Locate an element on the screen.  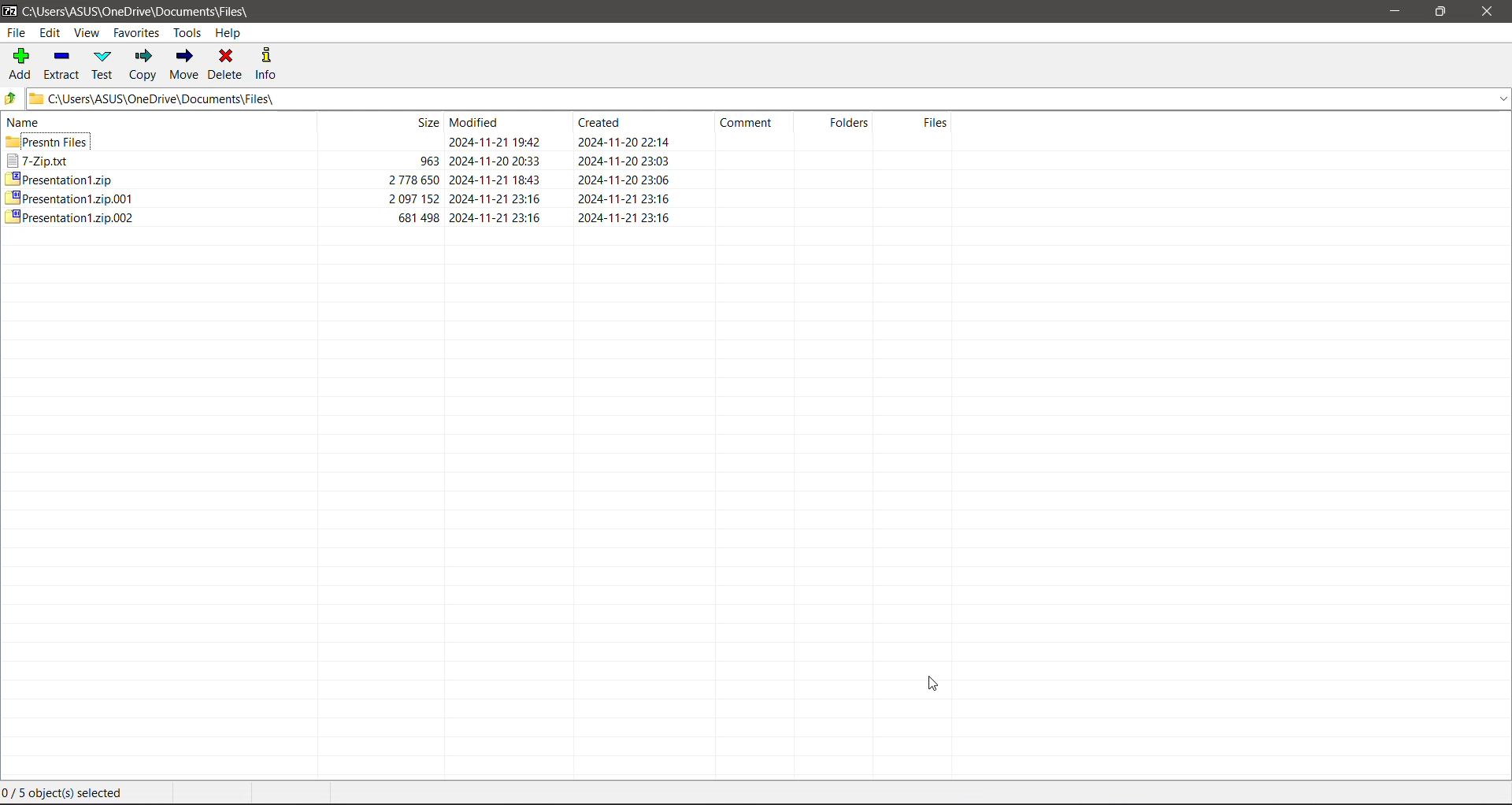
Move Up one level is located at coordinates (11, 98).